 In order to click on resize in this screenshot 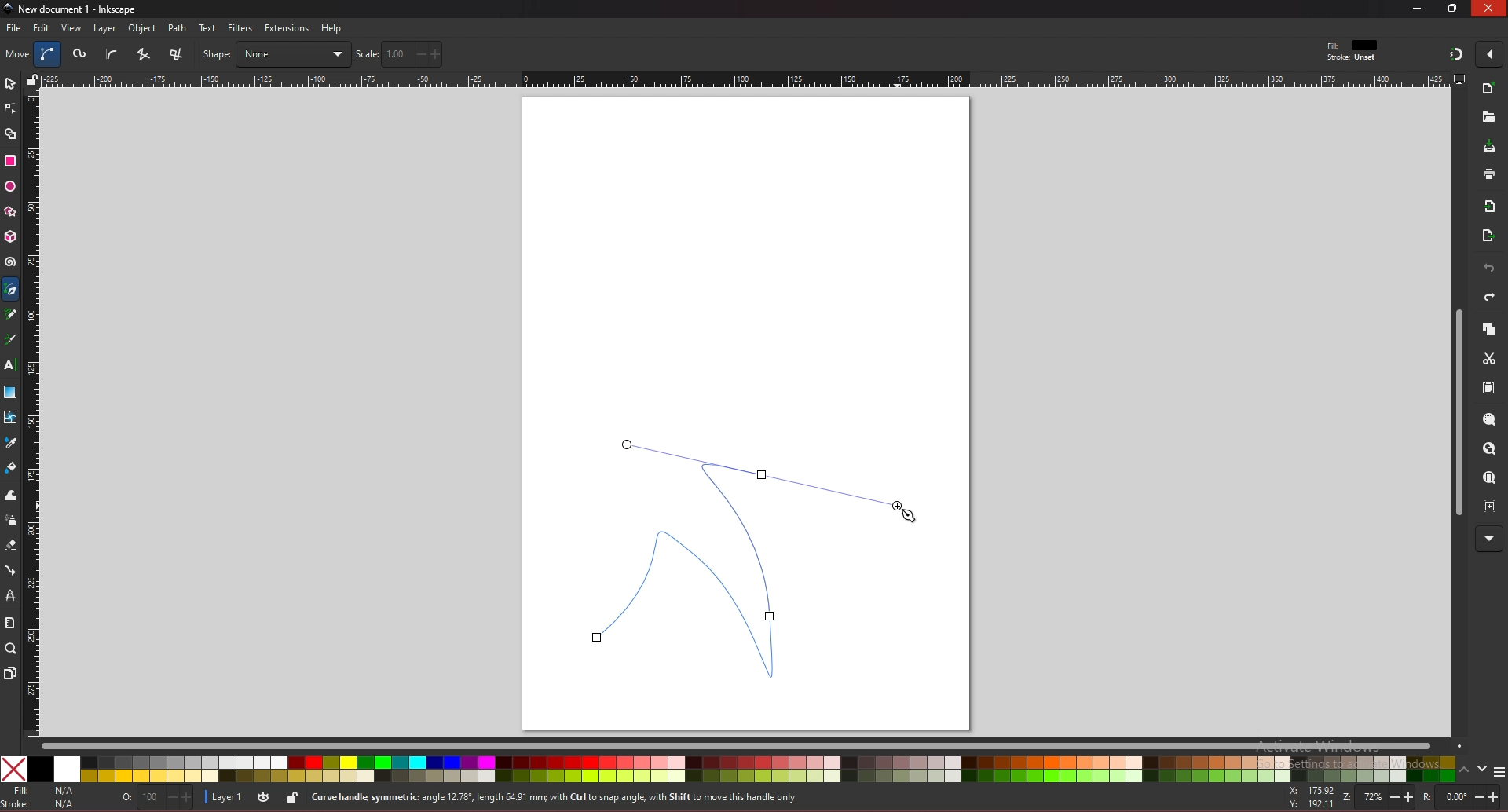, I will do `click(1455, 8)`.